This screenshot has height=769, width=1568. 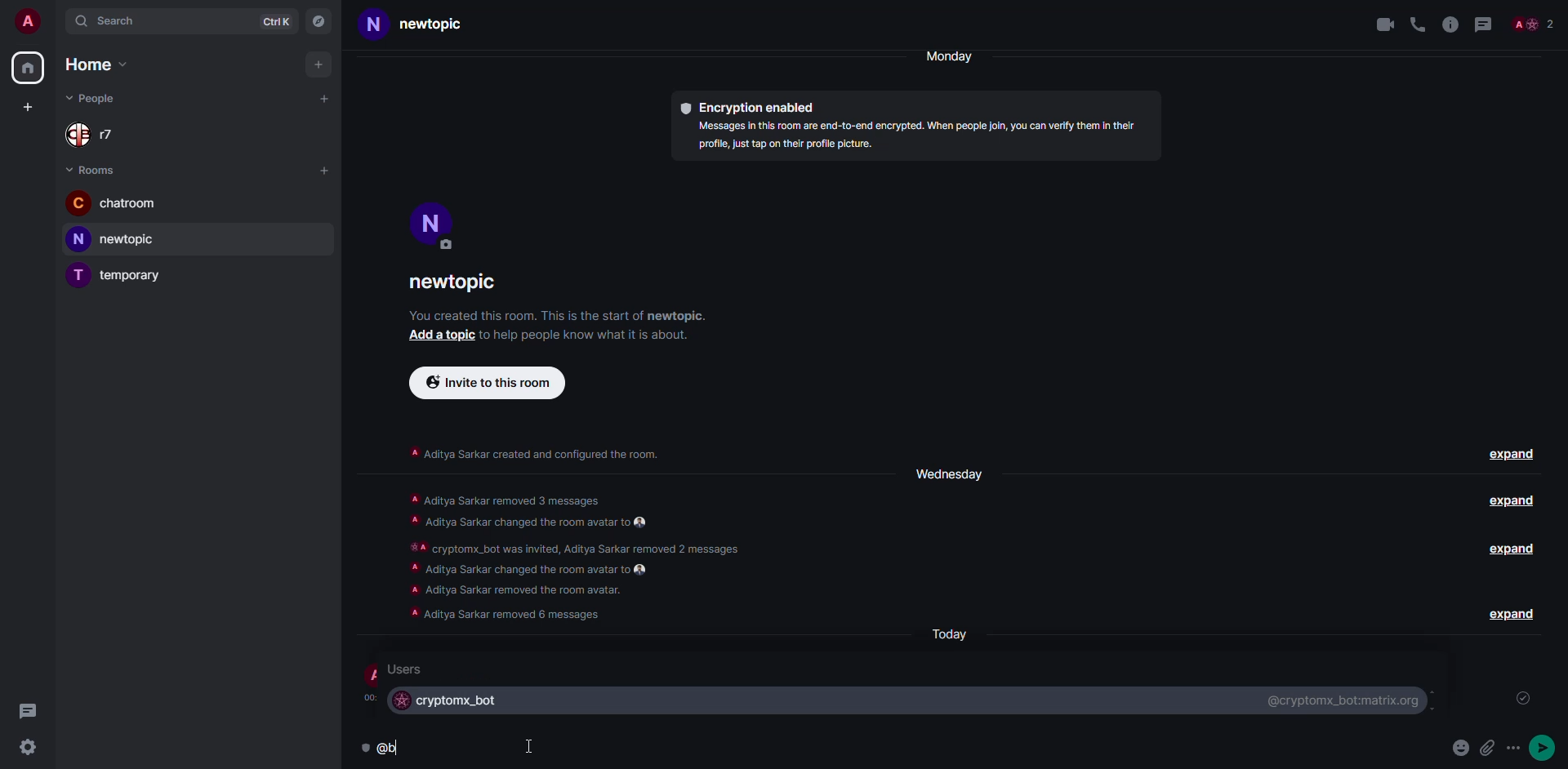 I want to click on video, so click(x=1379, y=24).